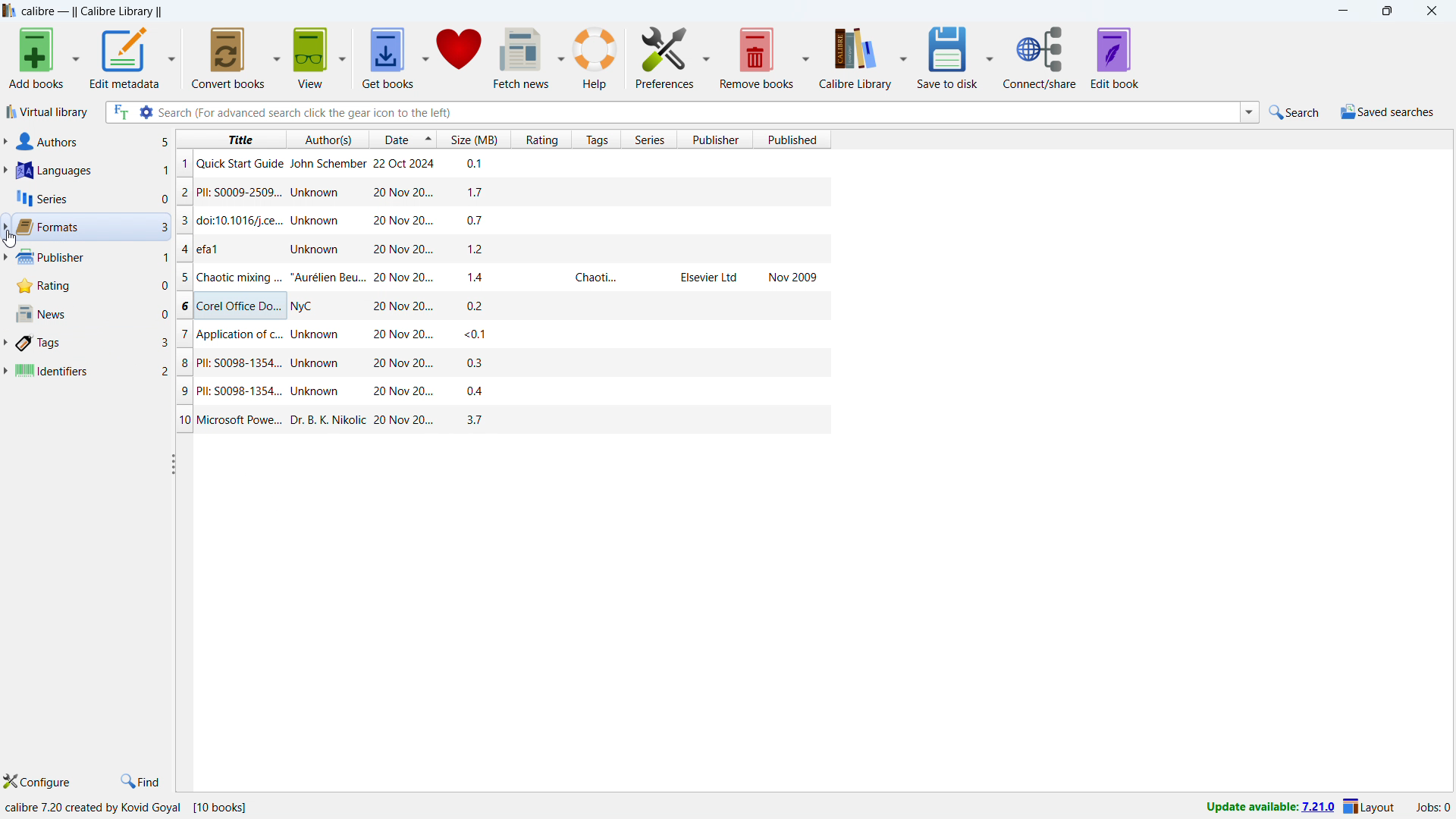 This screenshot has width=1456, height=819. Describe the element at coordinates (172, 56) in the screenshot. I see `edit metadata options` at that location.